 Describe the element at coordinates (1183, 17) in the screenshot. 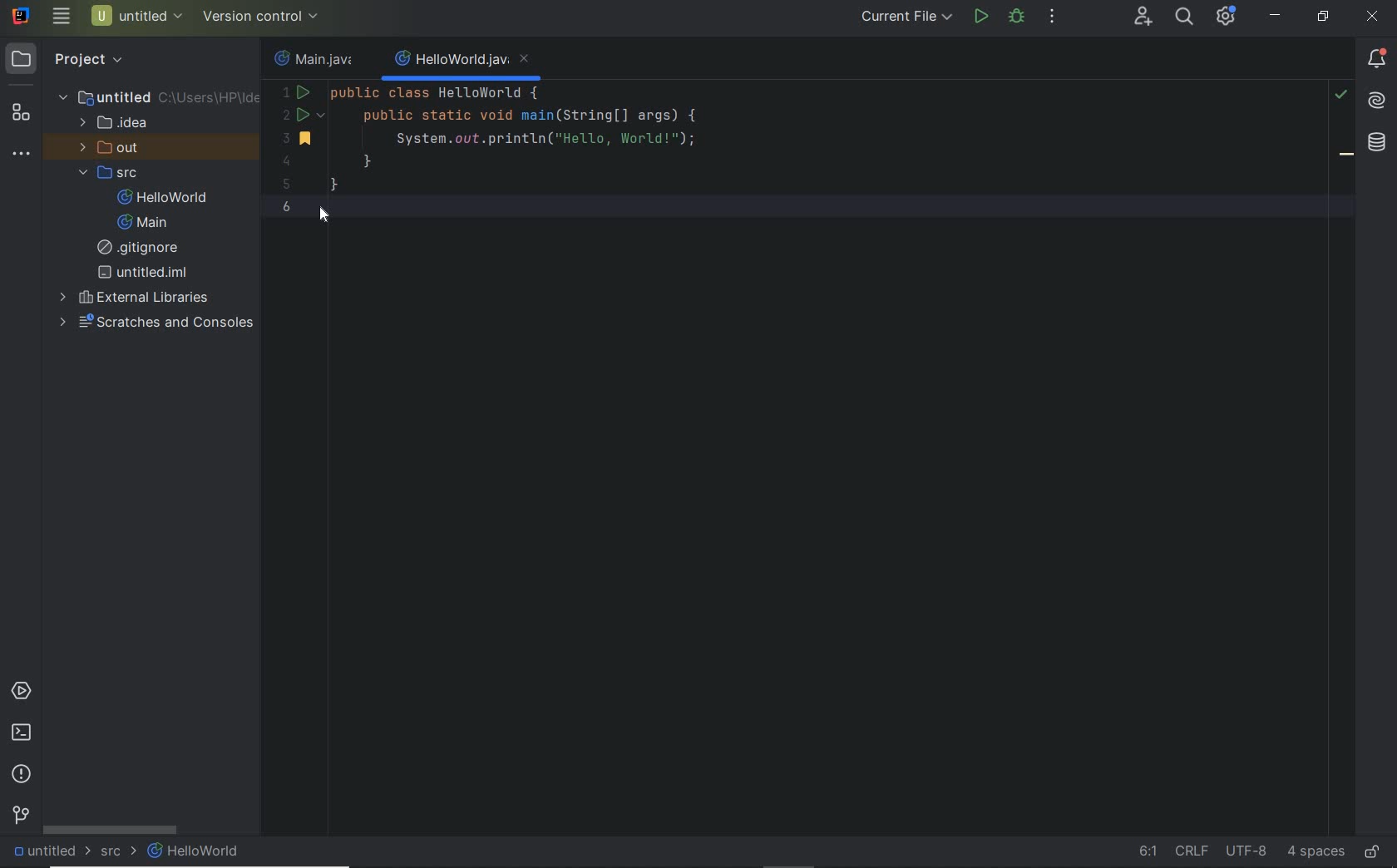

I see `search everywhere` at that location.